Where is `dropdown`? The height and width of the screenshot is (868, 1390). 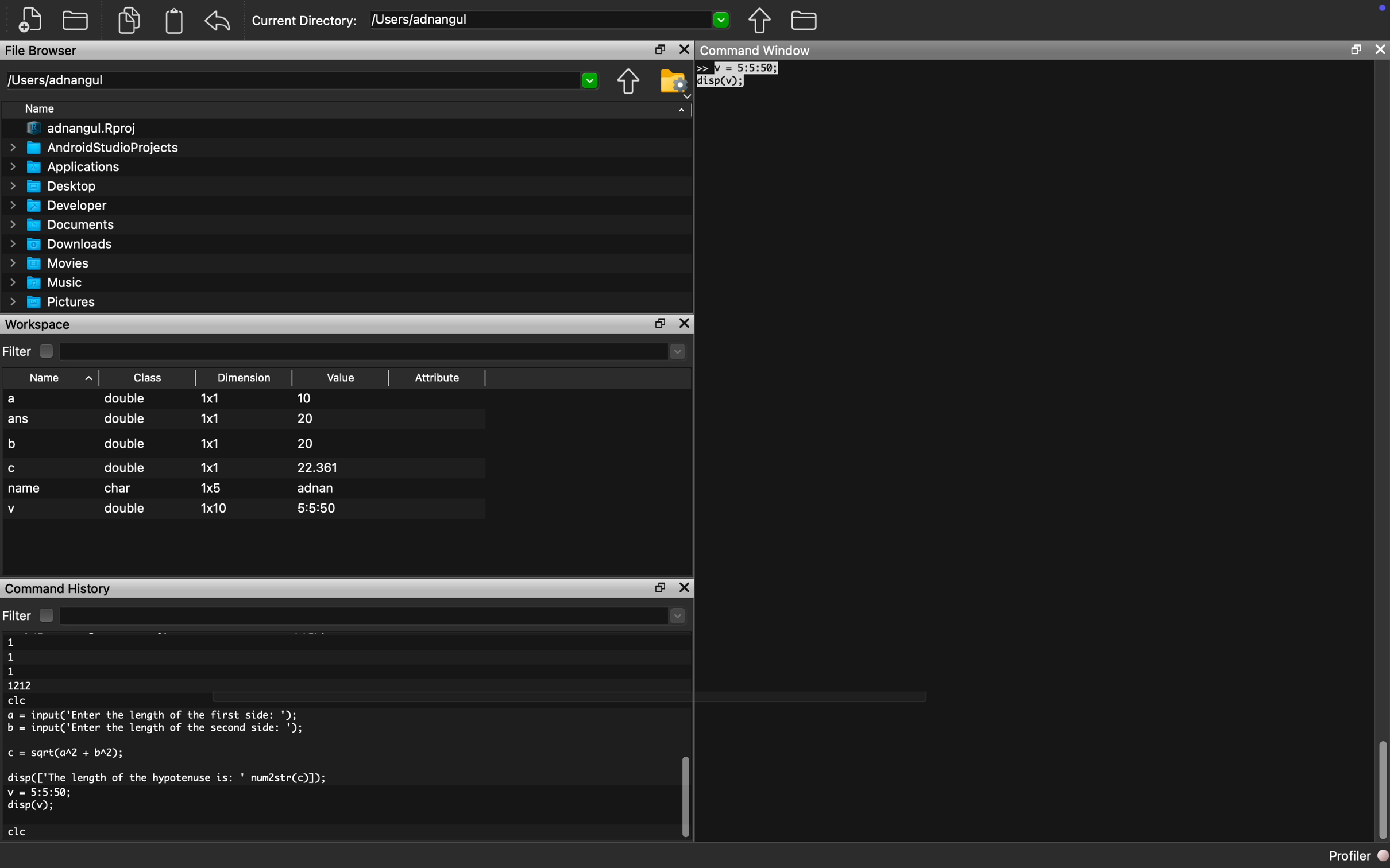 dropdown is located at coordinates (673, 352).